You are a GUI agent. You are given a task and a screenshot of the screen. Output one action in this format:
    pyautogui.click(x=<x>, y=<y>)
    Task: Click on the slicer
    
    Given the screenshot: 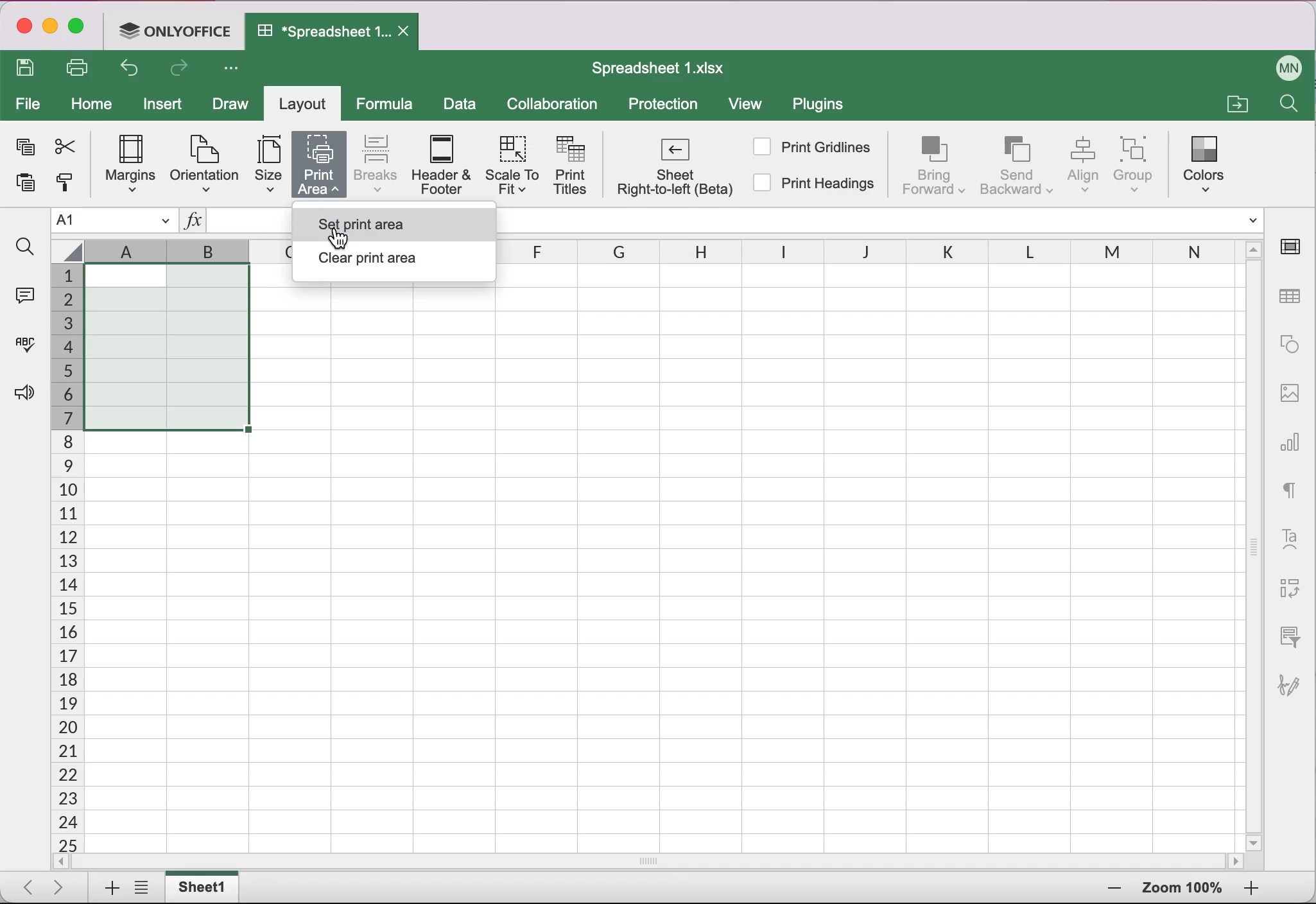 What is the action you would take?
    pyautogui.click(x=1287, y=636)
    